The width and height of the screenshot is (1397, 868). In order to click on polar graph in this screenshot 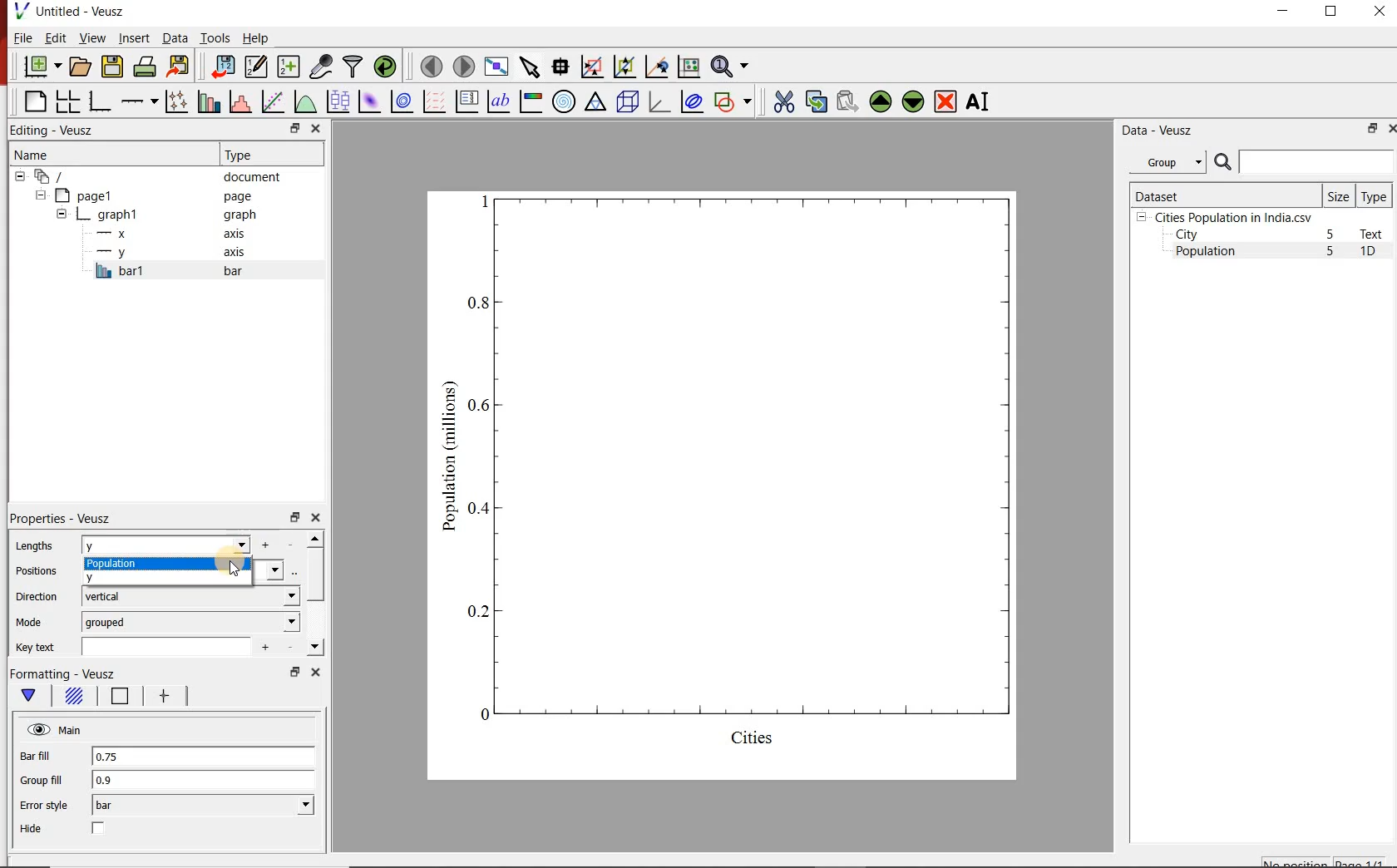, I will do `click(564, 101)`.